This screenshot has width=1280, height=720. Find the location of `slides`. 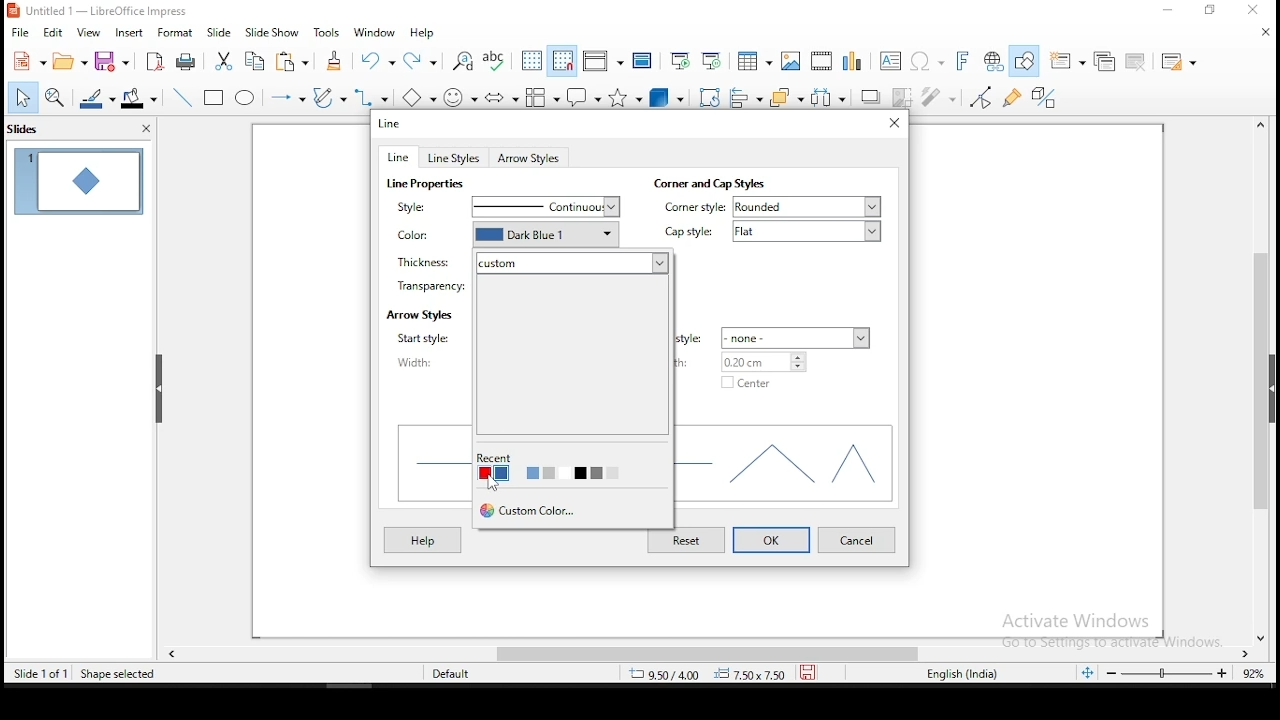

slides is located at coordinates (55, 129).